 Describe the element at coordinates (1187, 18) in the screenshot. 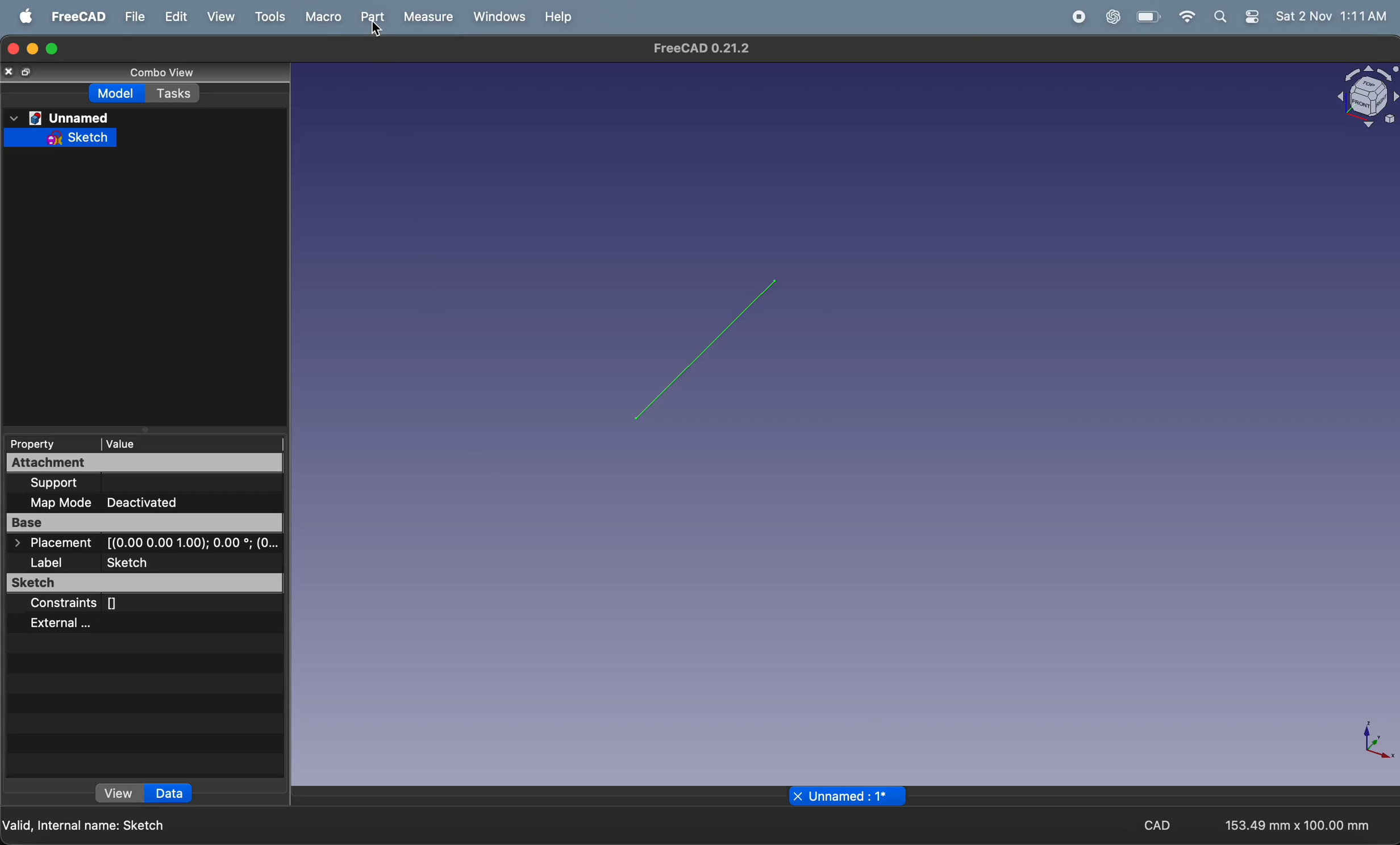

I see `wifi` at that location.